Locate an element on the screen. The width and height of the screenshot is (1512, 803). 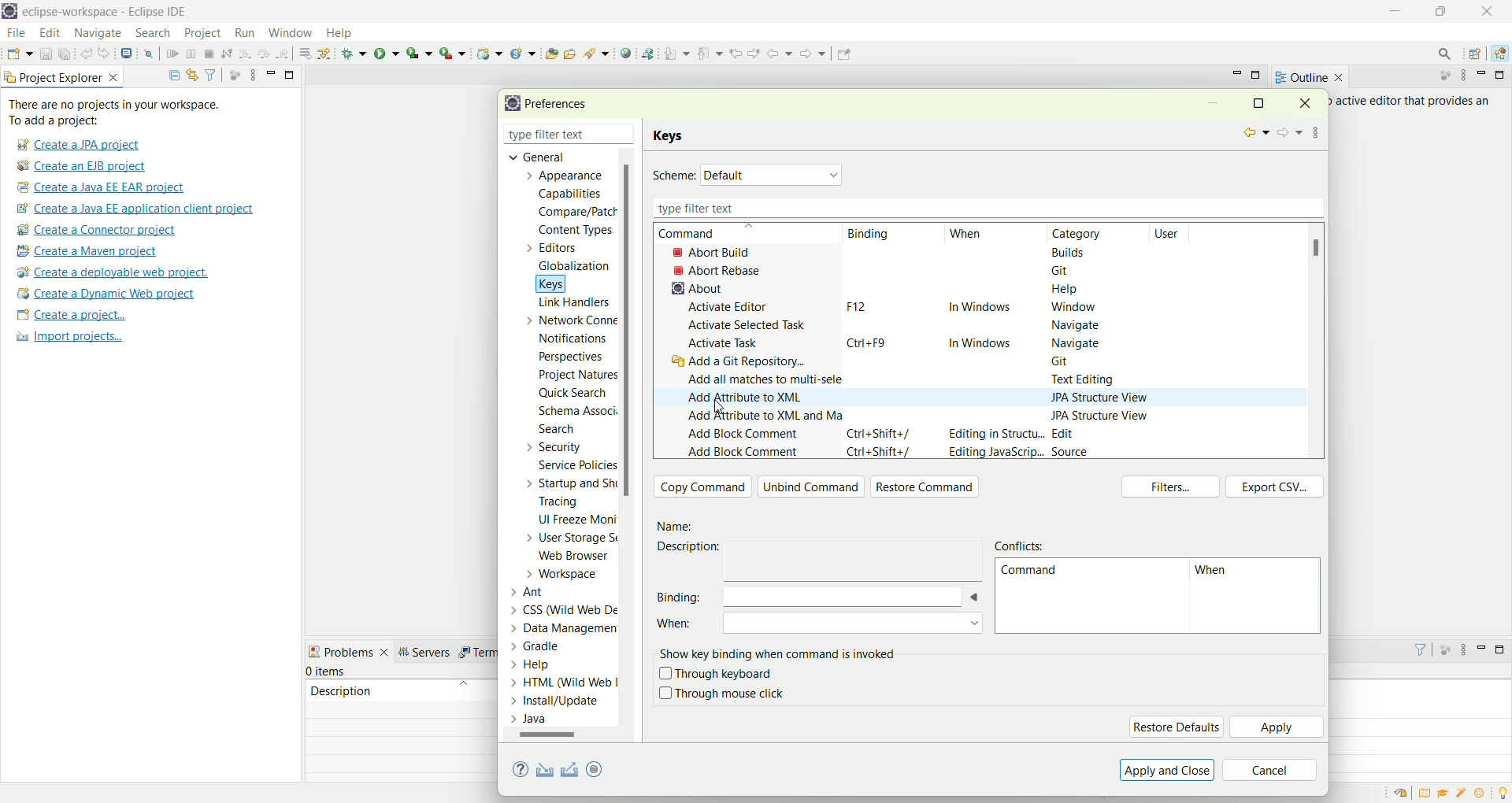
show key binding when command is involved is located at coordinates (781, 652).